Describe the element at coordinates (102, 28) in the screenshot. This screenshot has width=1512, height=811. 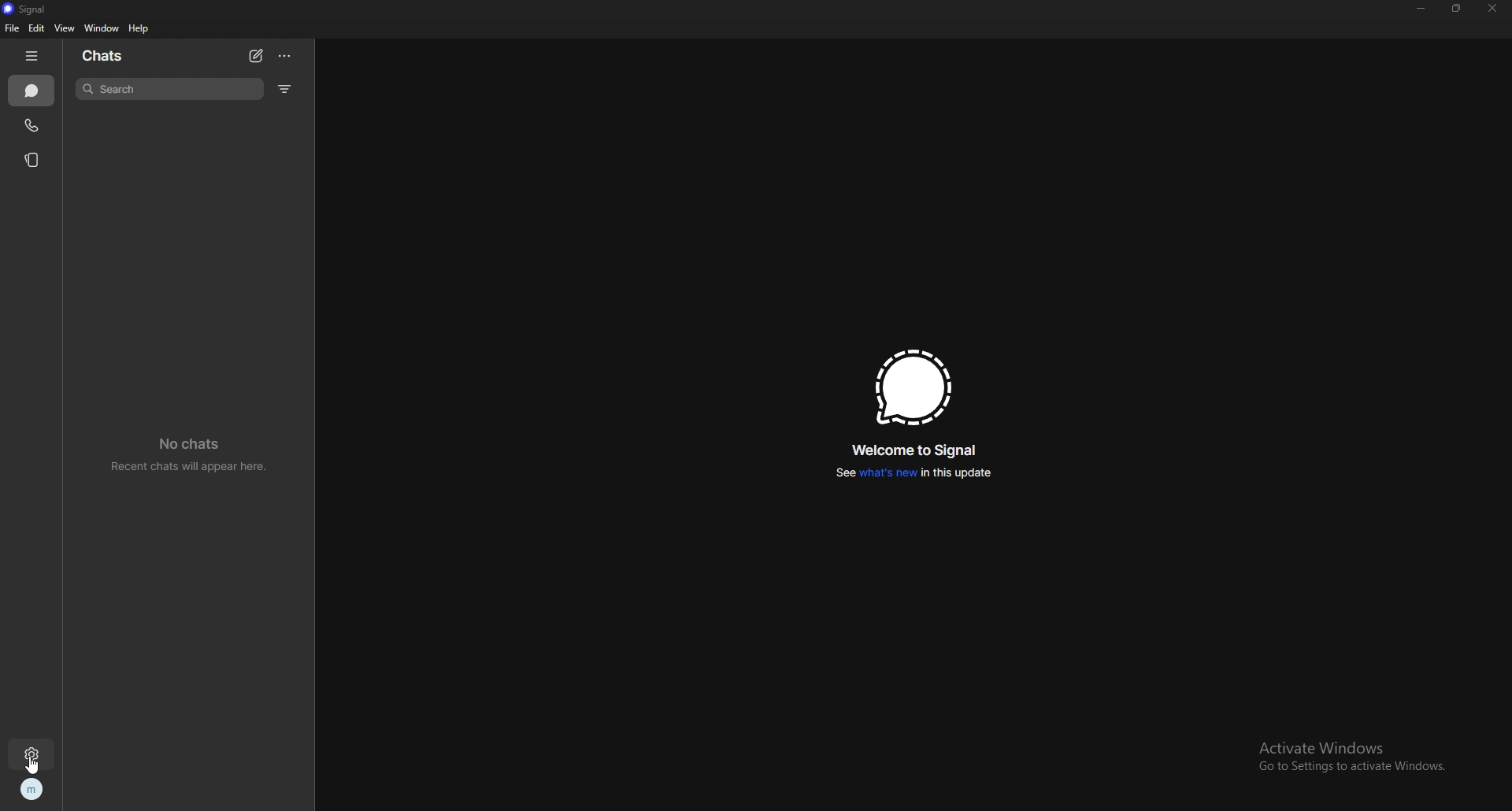
I see `window` at that location.